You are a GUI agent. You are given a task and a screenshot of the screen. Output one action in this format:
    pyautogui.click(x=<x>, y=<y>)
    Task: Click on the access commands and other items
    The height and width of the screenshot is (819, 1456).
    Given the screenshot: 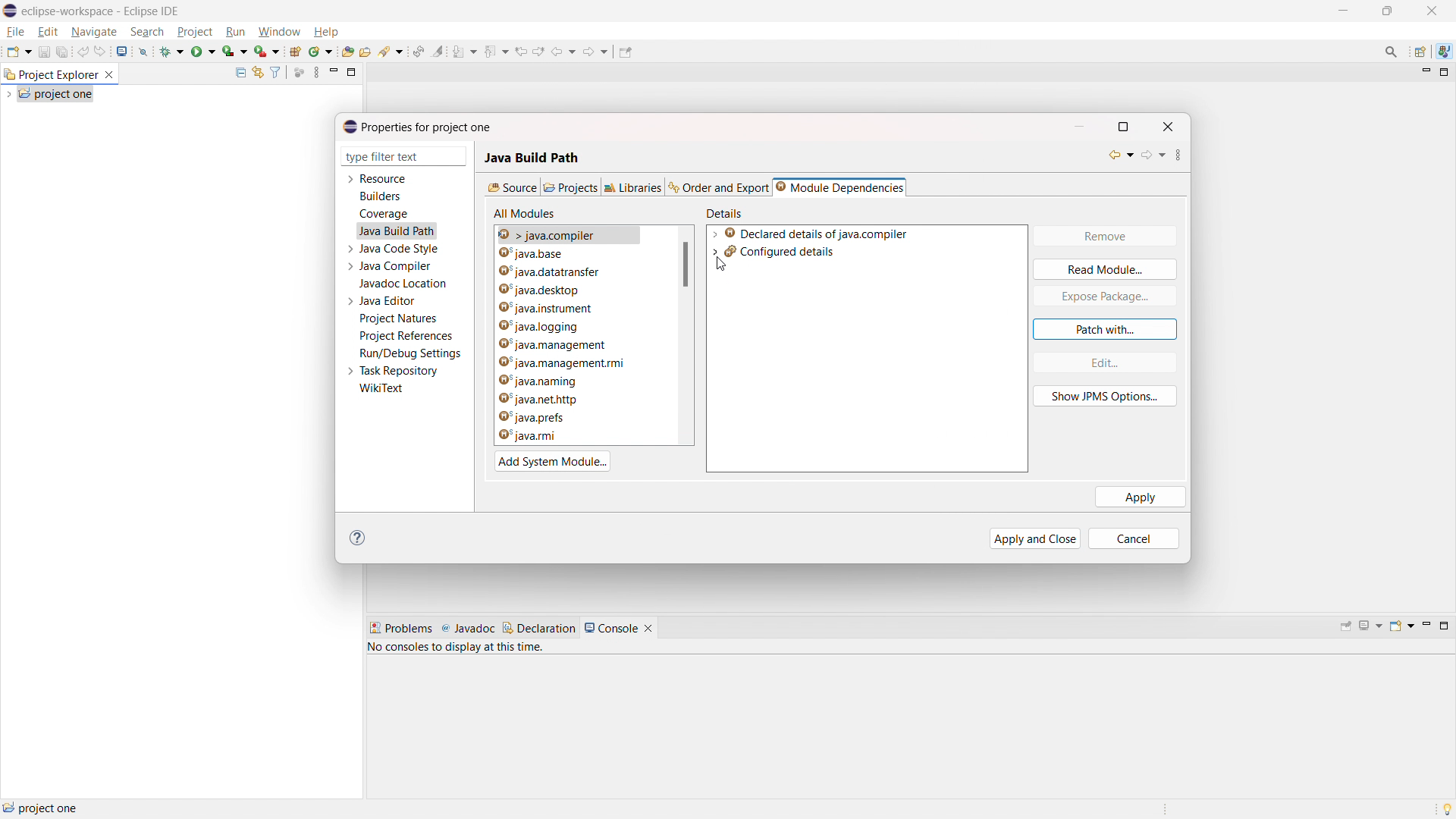 What is the action you would take?
    pyautogui.click(x=1392, y=51)
    